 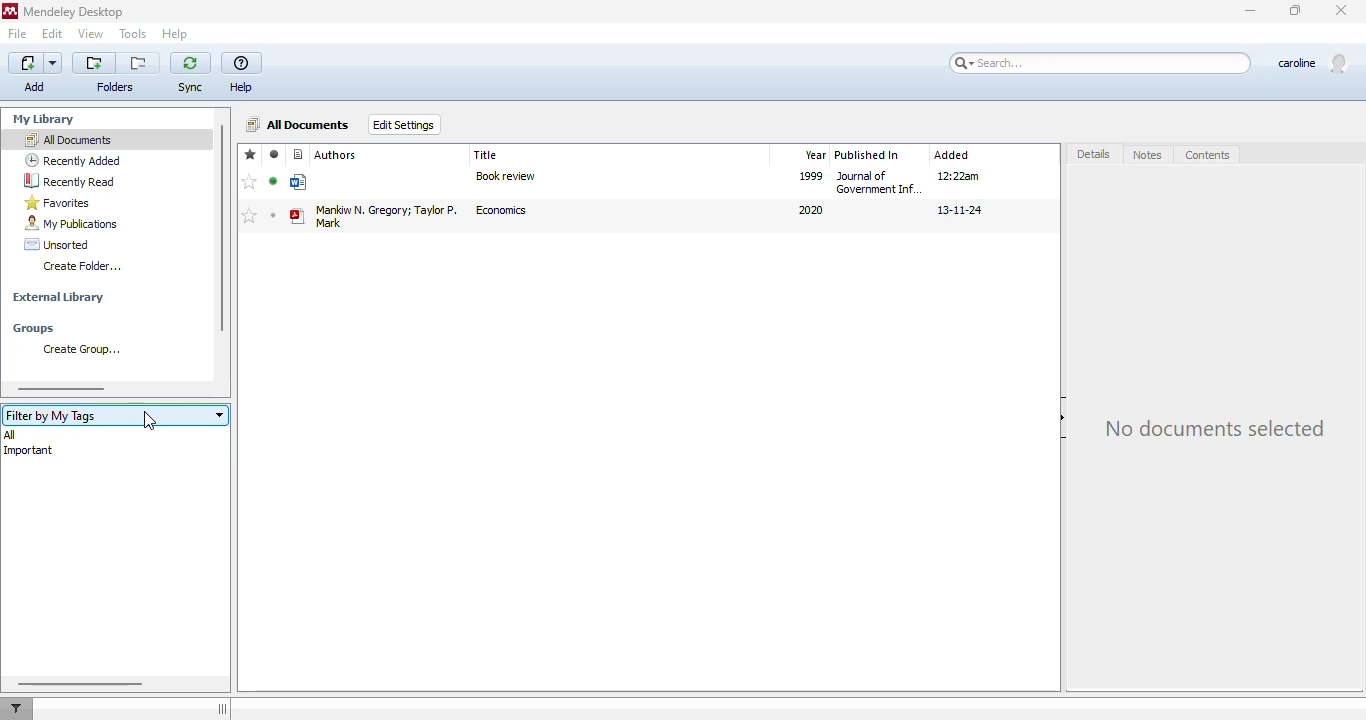 I want to click on details, so click(x=1095, y=153).